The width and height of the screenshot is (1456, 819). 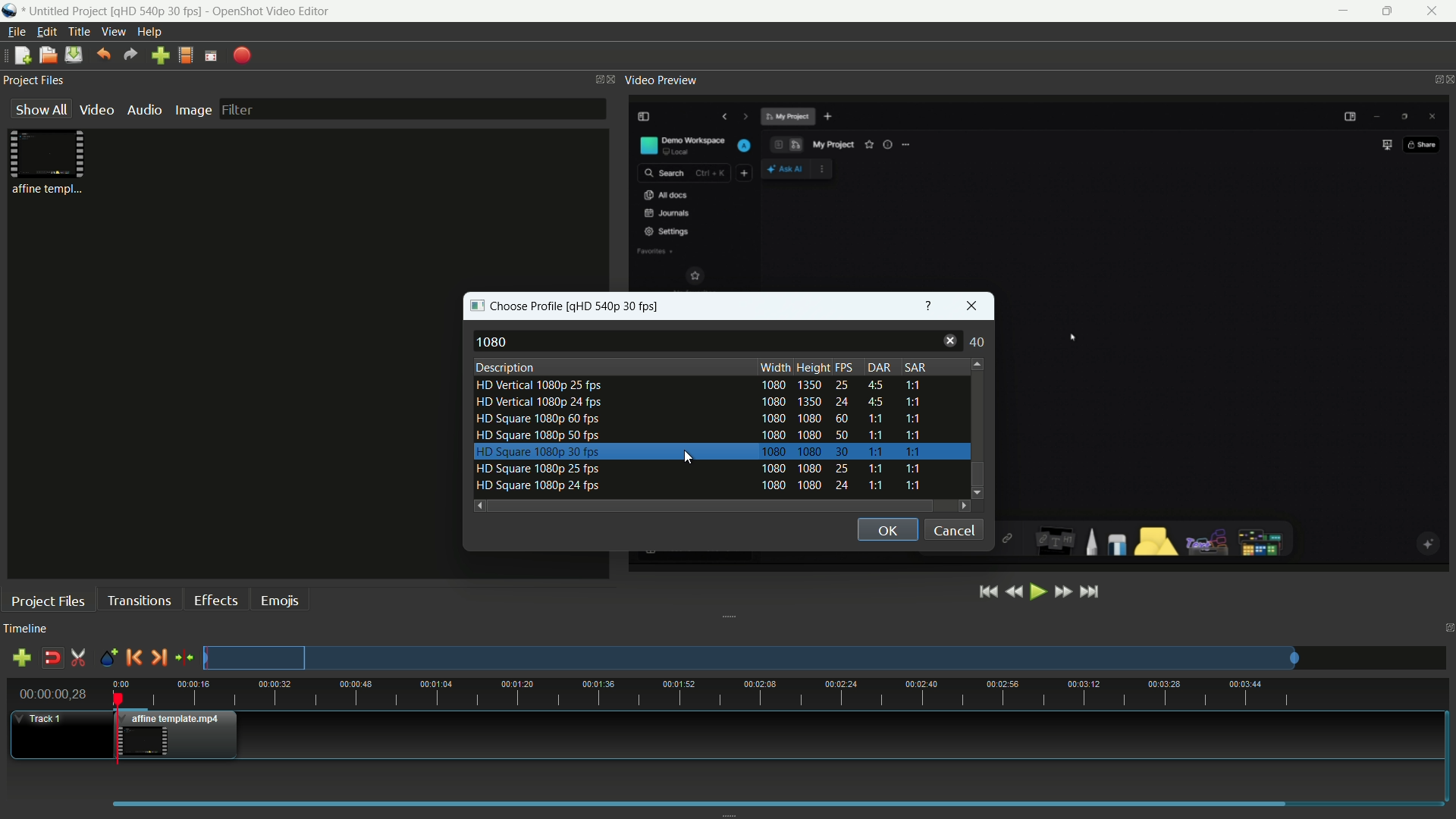 I want to click on project file, so click(x=49, y=161).